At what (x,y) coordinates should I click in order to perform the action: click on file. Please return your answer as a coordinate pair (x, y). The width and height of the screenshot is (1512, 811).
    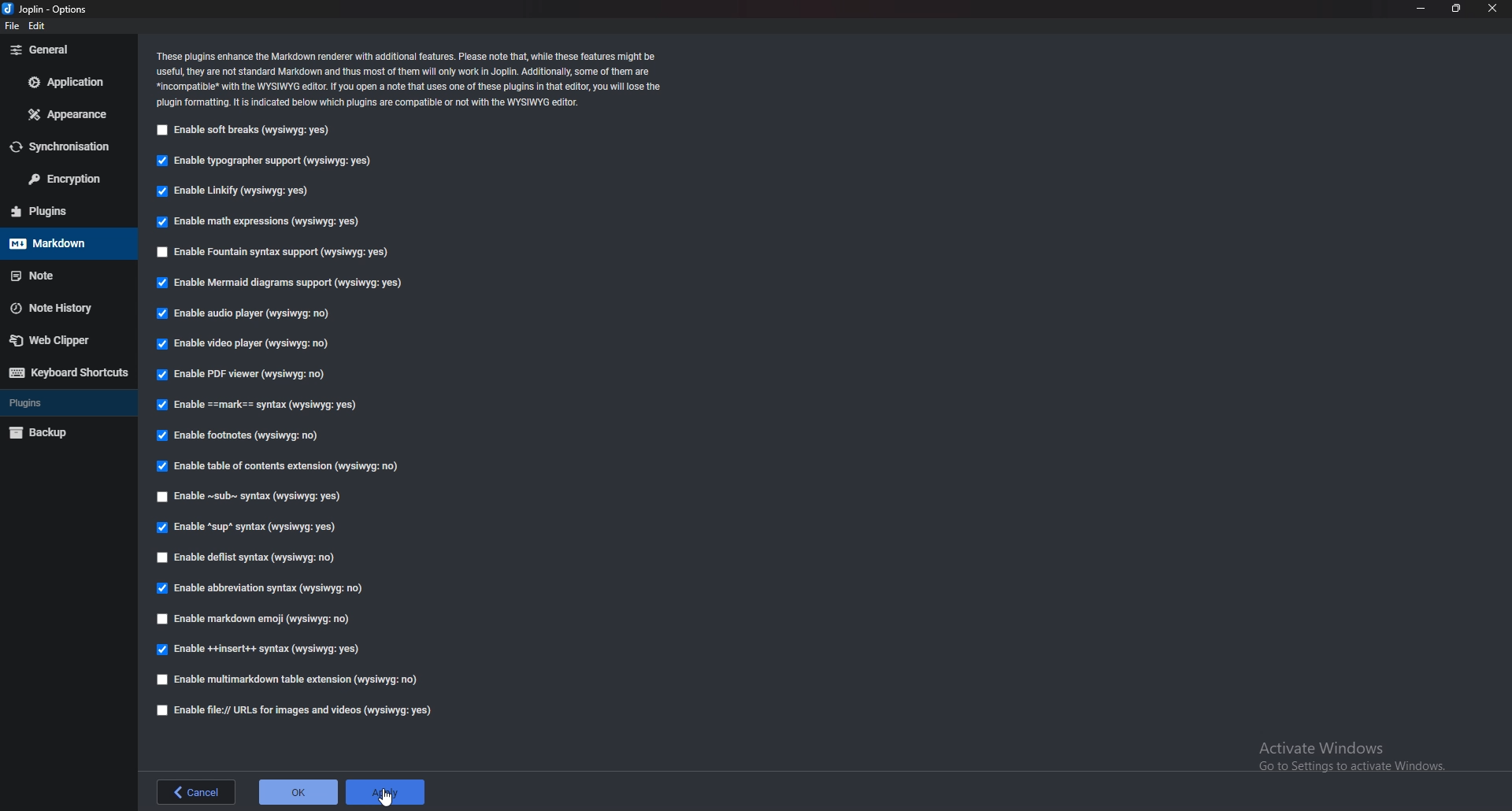
    Looking at the image, I should click on (13, 25).